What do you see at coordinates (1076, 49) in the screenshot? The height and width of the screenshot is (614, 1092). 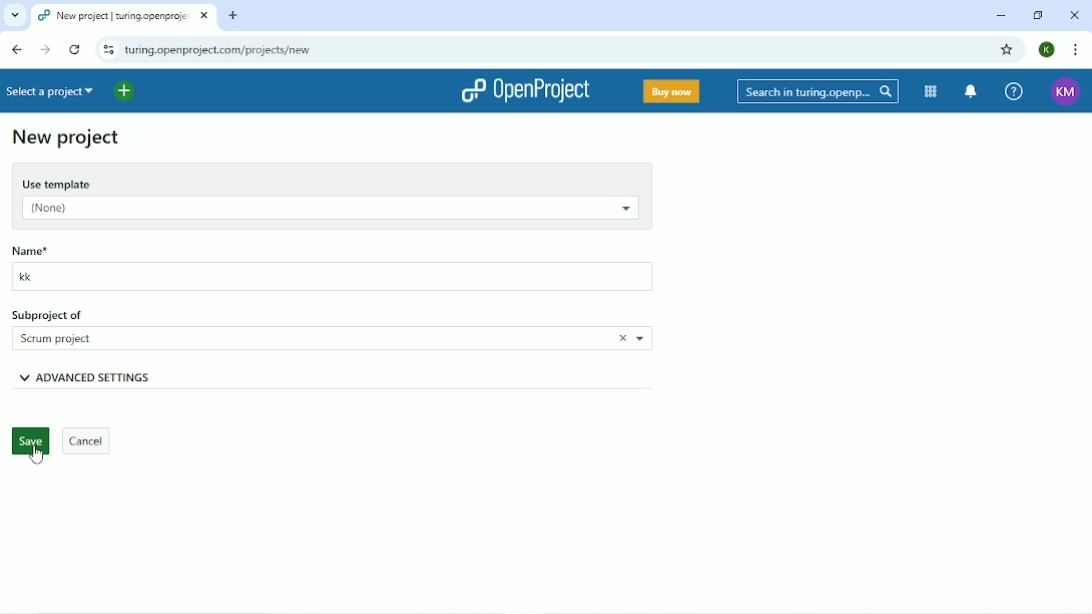 I see `Customize and control google chrome` at bounding box center [1076, 49].